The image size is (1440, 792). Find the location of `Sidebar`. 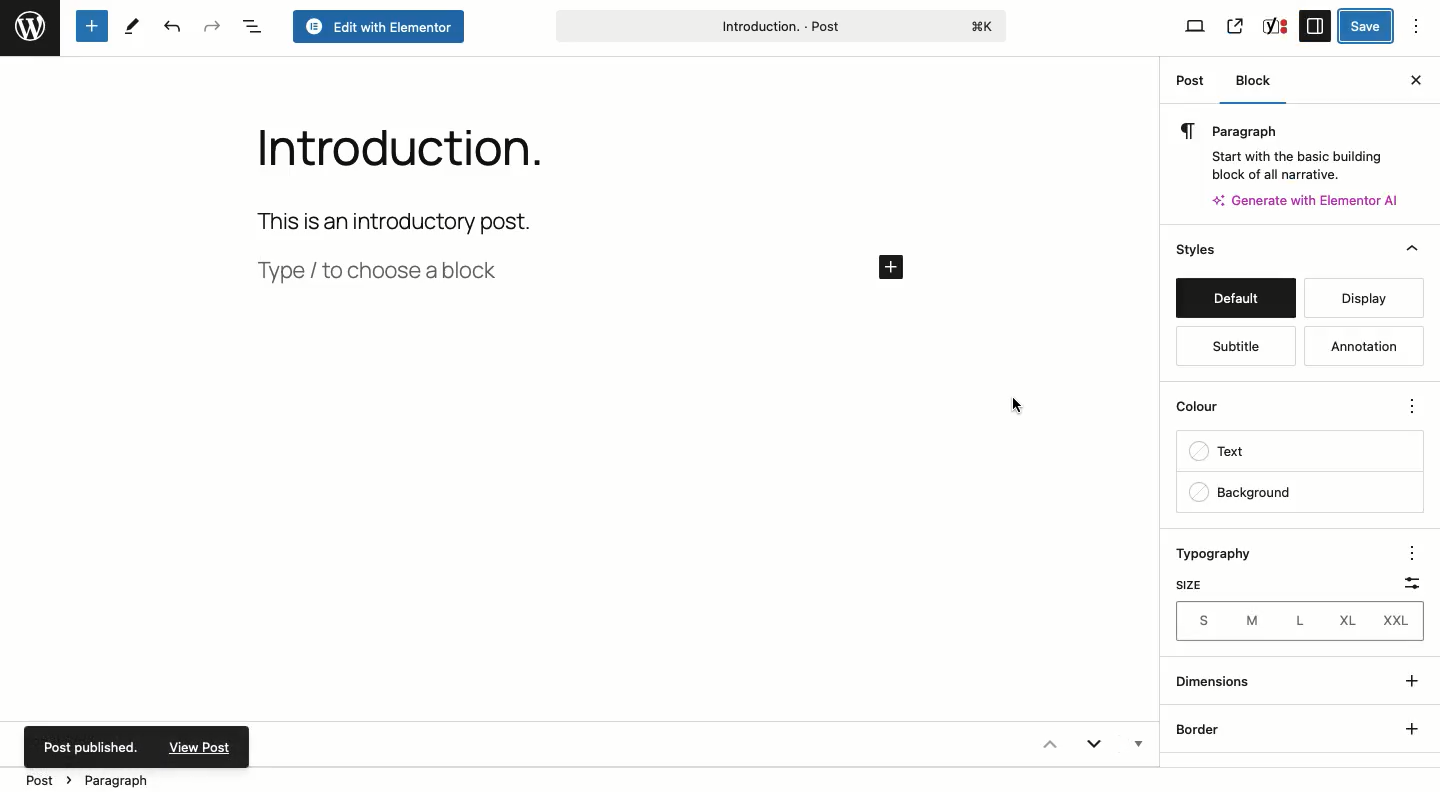

Sidebar is located at coordinates (1315, 24).